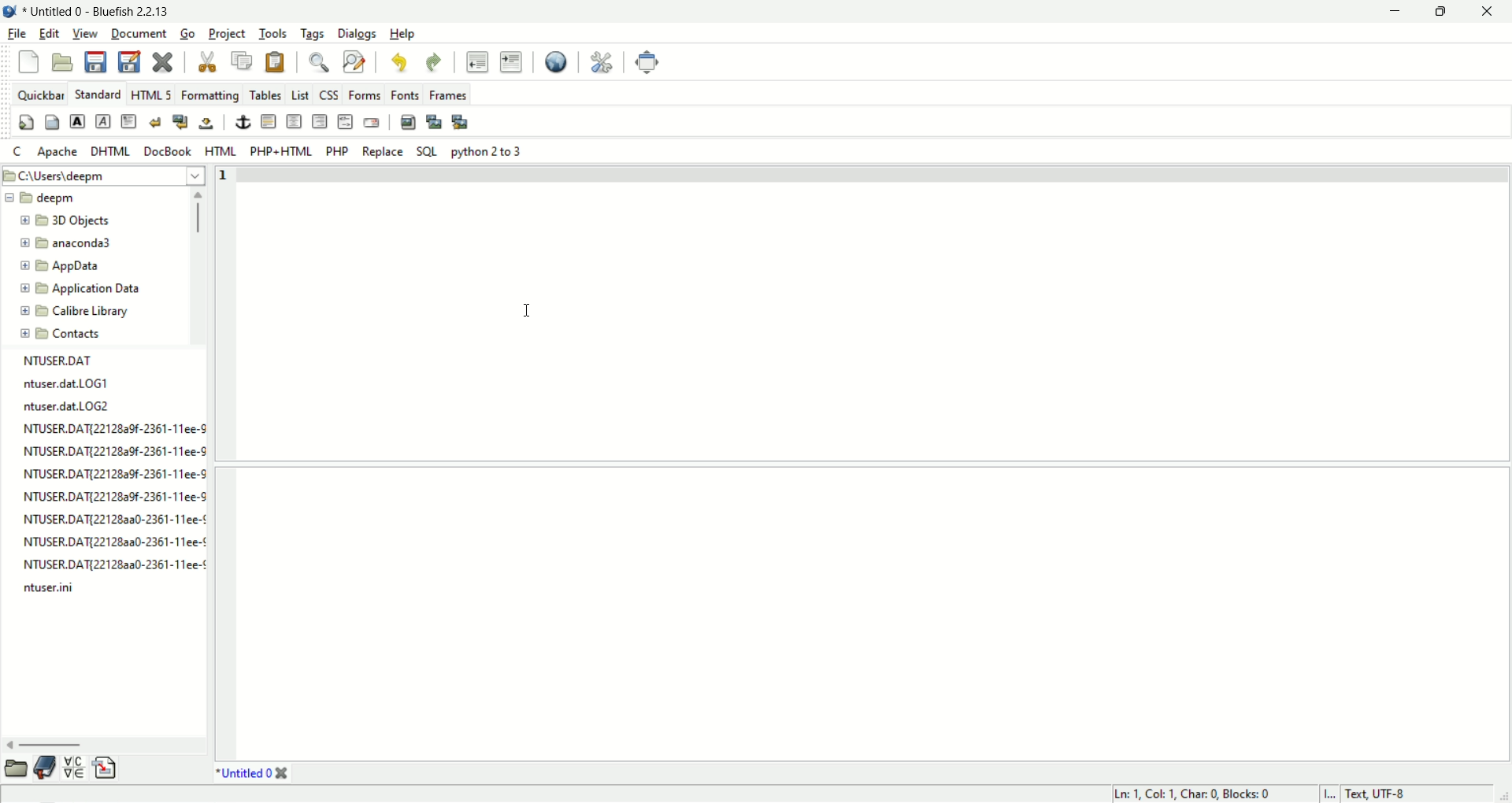  What do you see at coordinates (105, 770) in the screenshot?
I see `snippets` at bounding box center [105, 770].